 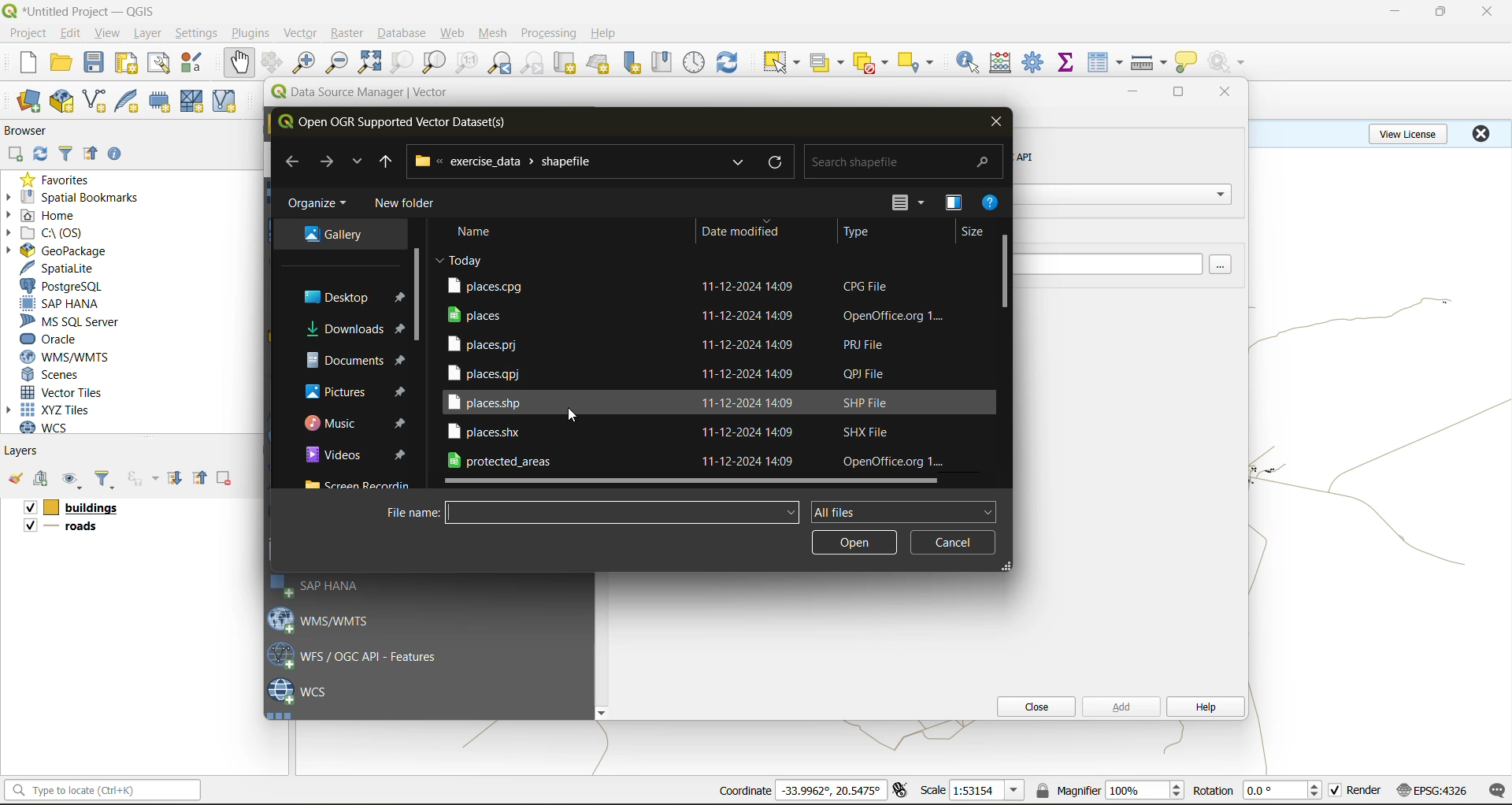 What do you see at coordinates (1151, 63) in the screenshot?
I see `measure line` at bounding box center [1151, 63].